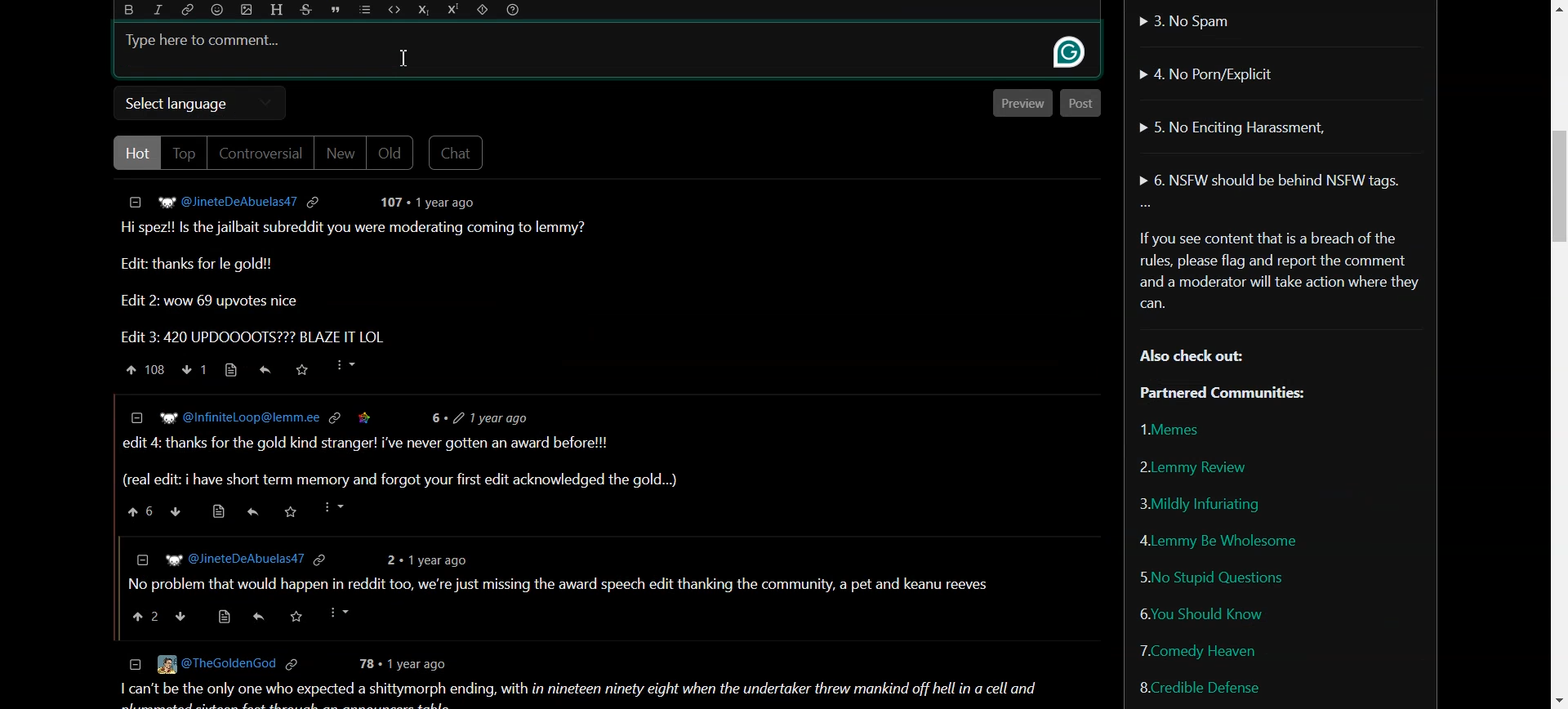 Image resolution: width=1568 pixels, height=709 pixels. I want to click on collapse, so click(140, 560).